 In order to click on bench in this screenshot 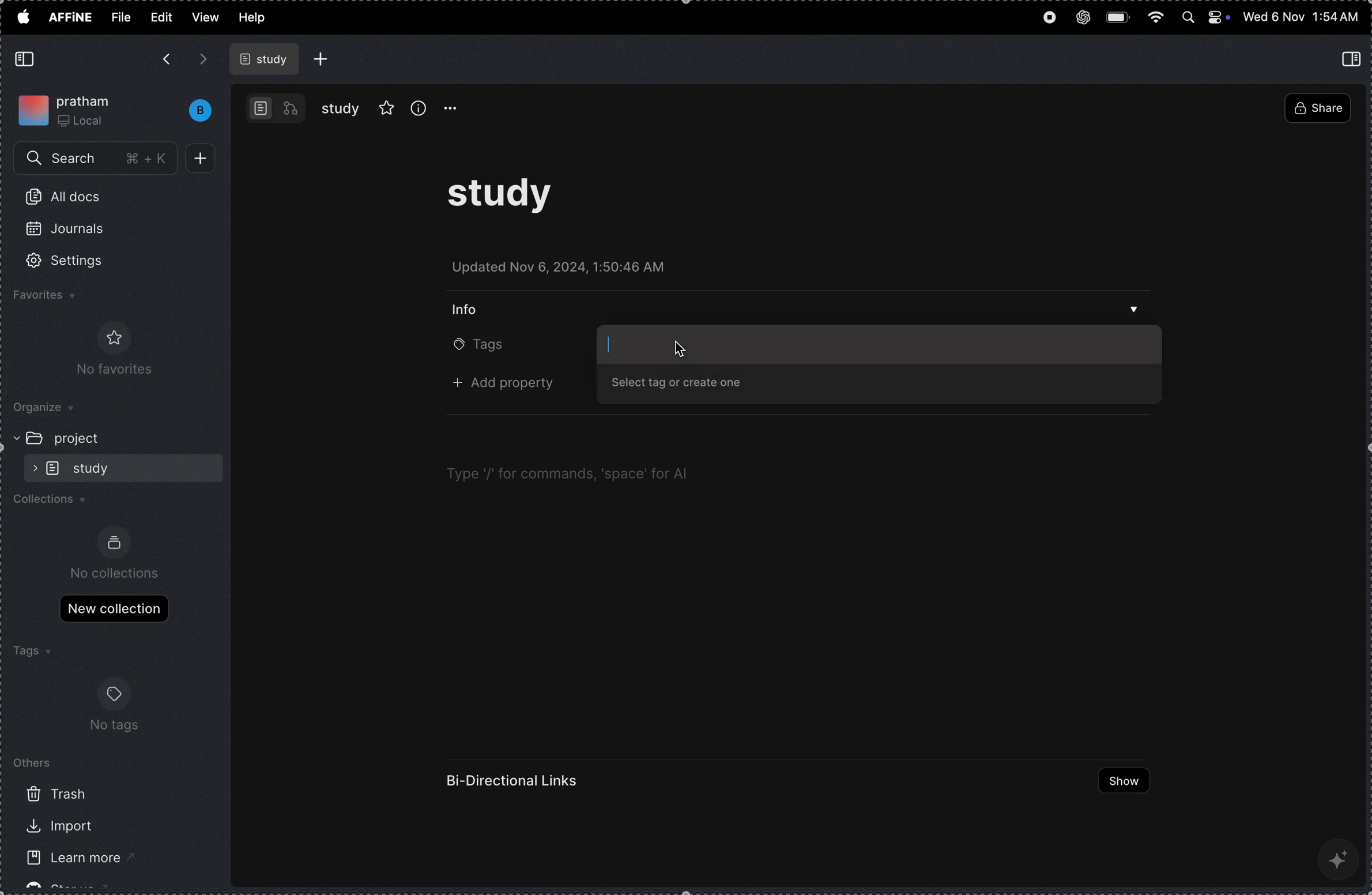, I will do `click(194, 111)`.